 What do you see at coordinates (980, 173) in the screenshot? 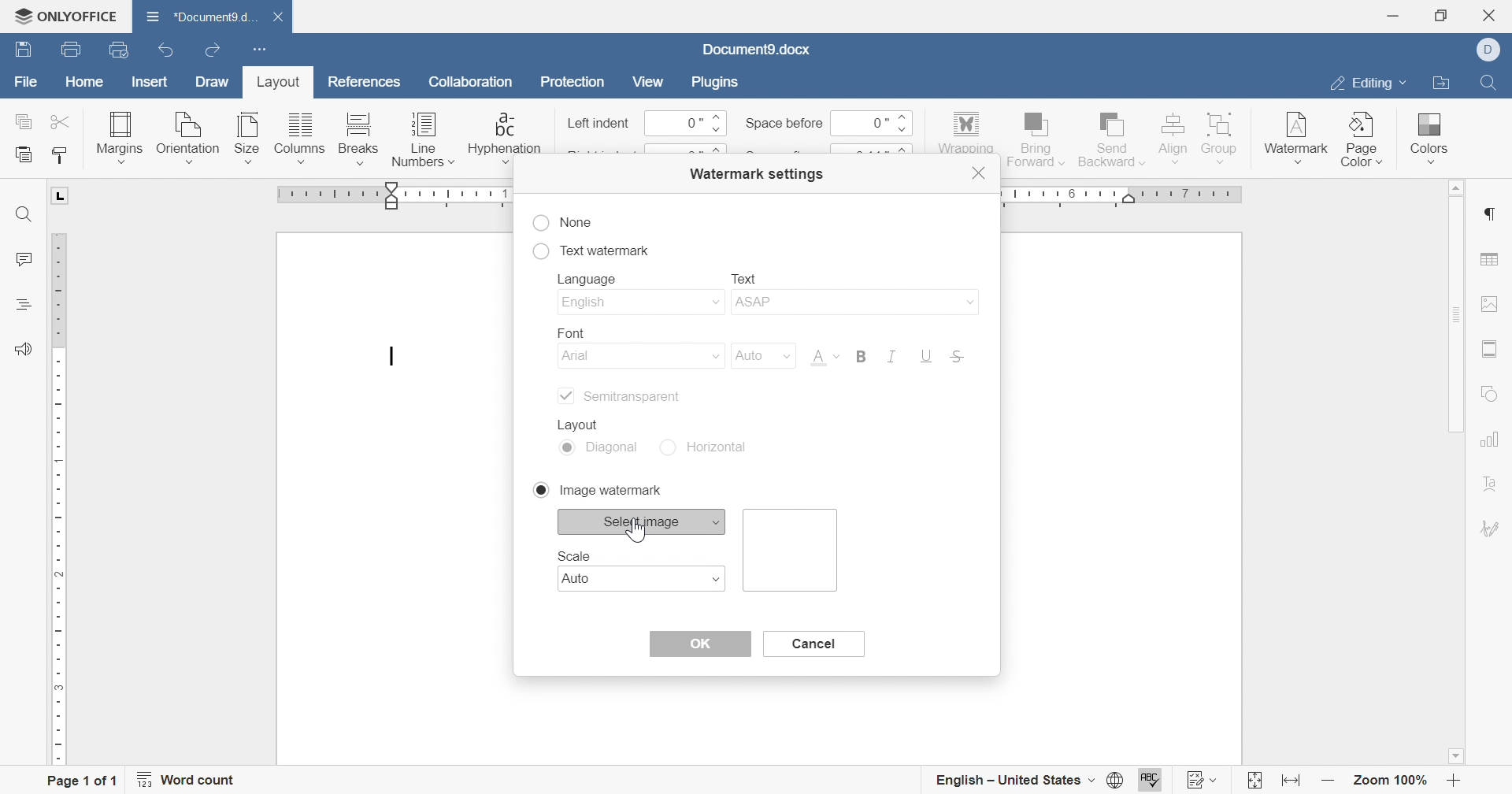
I see `close` at bounding box center [980, 173].